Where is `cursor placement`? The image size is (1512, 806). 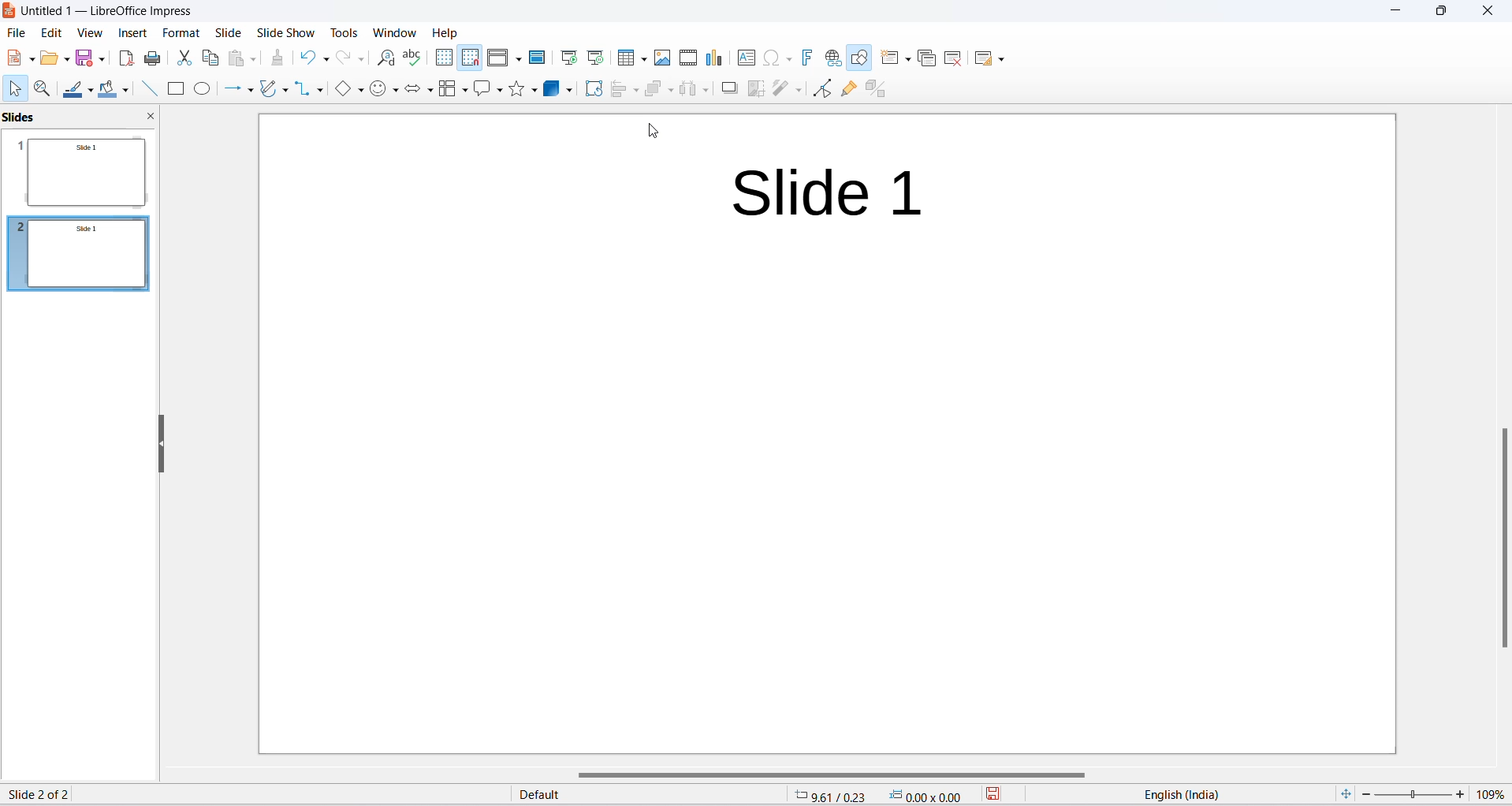
cursor placement is located at coordinates (875, 795).